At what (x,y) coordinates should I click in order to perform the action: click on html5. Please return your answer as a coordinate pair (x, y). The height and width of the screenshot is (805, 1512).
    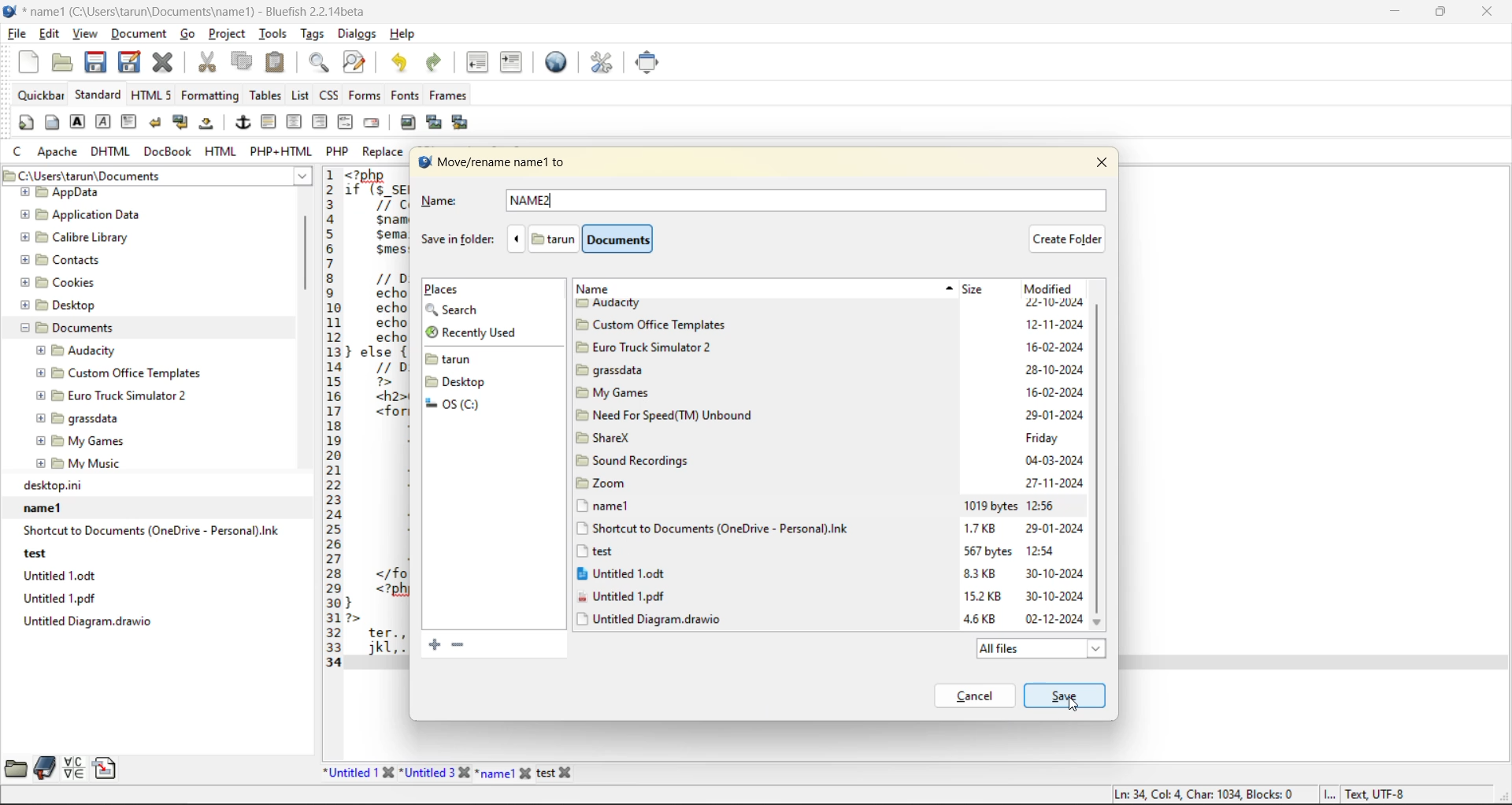
    Looking at the image, I should click on (152, 96).